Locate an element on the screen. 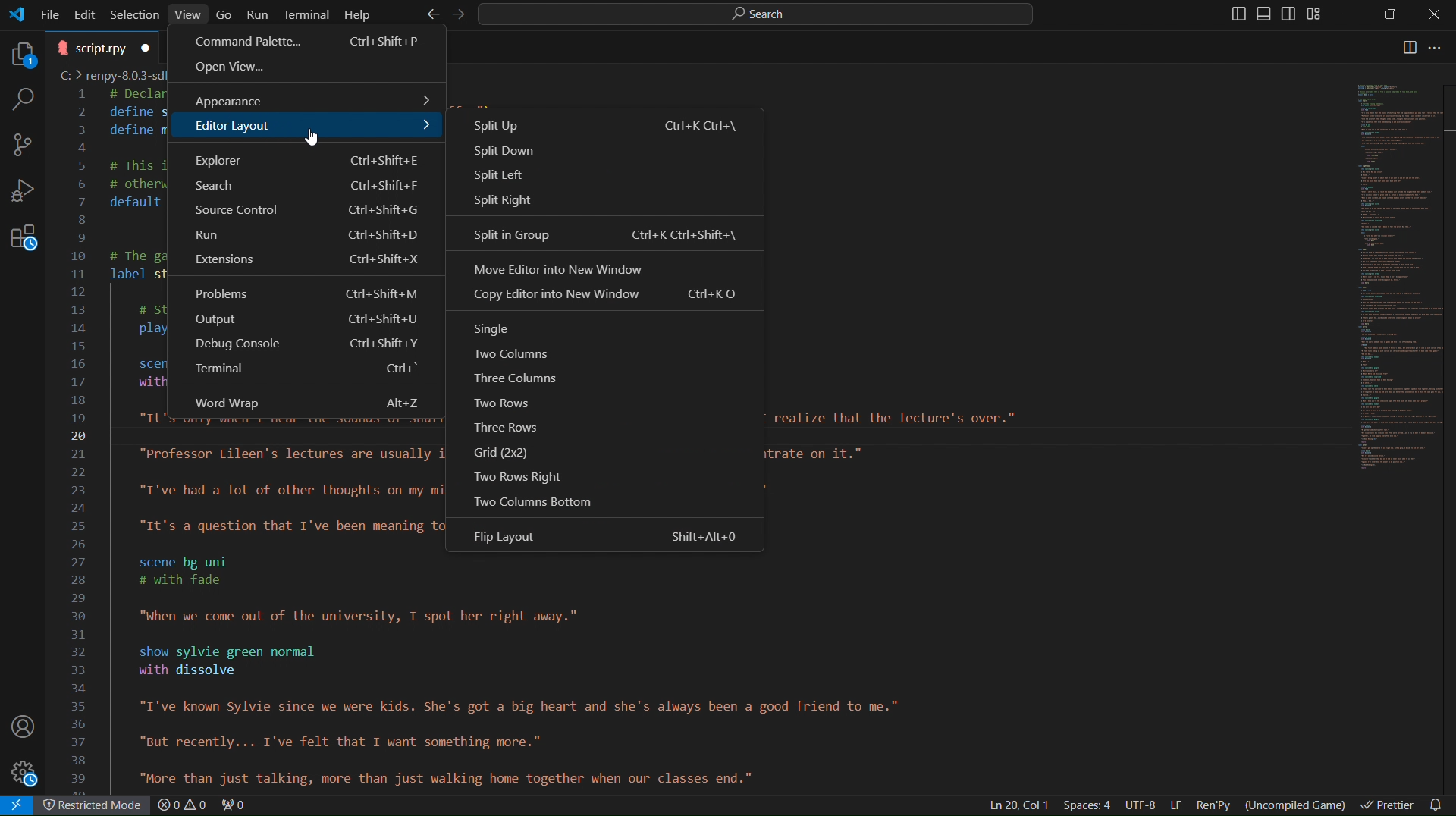 The height and width of the screenshot is (816, 1456). Word Wrap   alt+Z is located at coordinates (304, 400).